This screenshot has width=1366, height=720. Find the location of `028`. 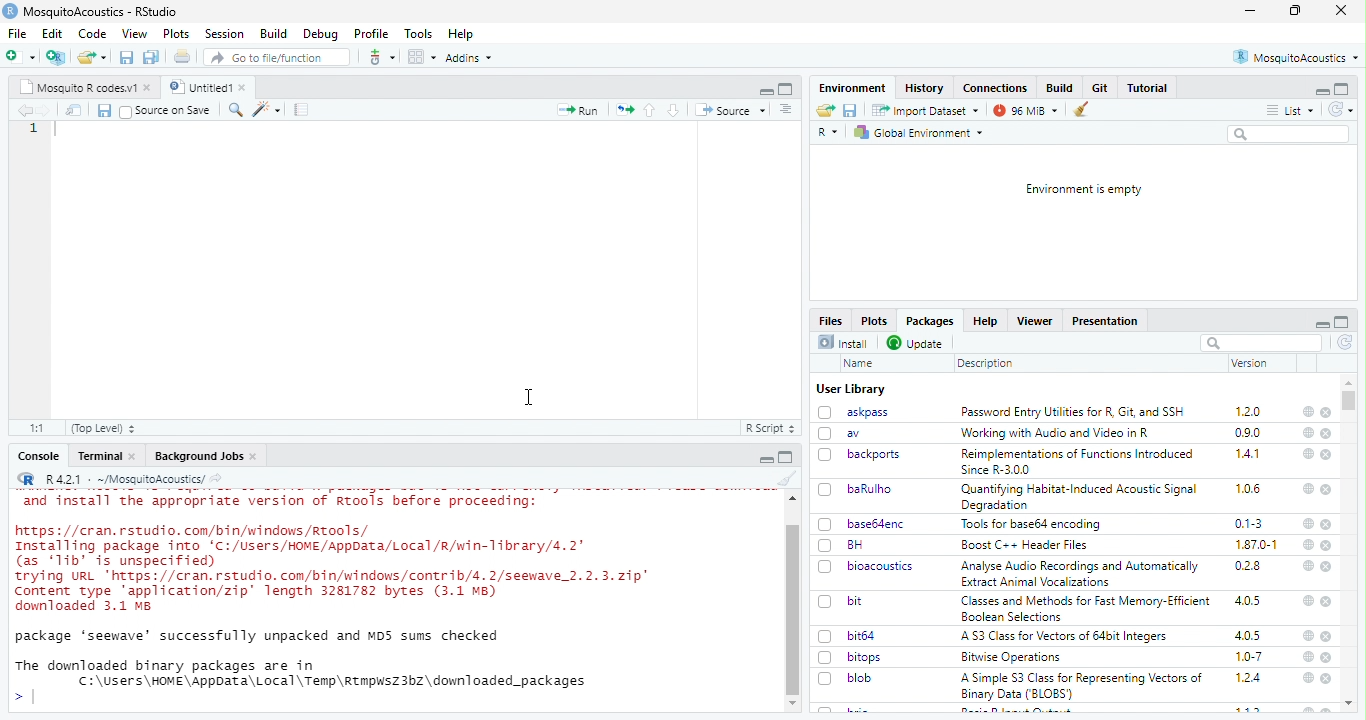

028 is located at coordinates (1248, 566).